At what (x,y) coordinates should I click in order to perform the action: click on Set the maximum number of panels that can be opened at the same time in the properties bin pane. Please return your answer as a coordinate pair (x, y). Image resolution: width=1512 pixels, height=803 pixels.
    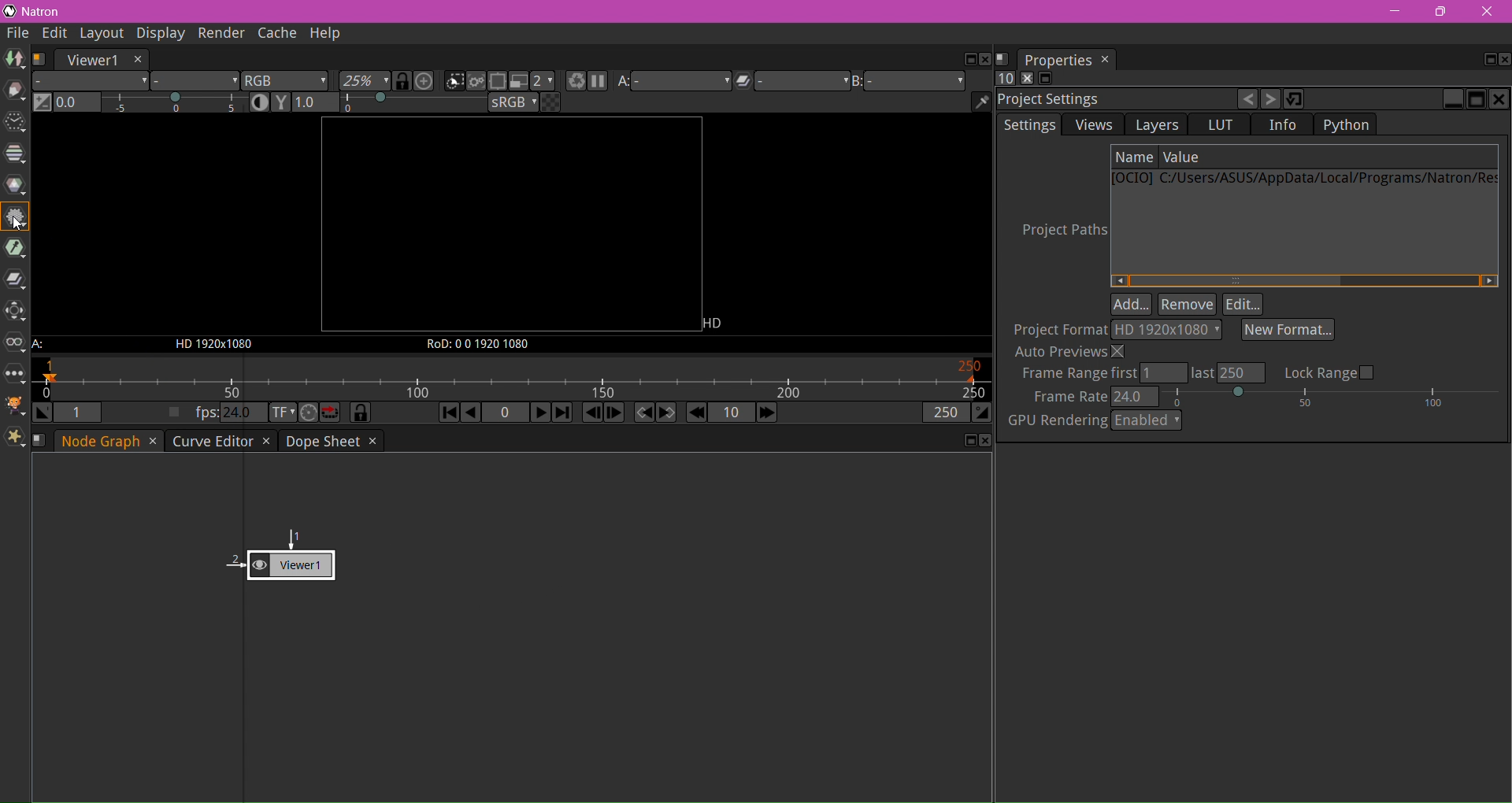
    Looking at the image, I should click on (1005, 79).